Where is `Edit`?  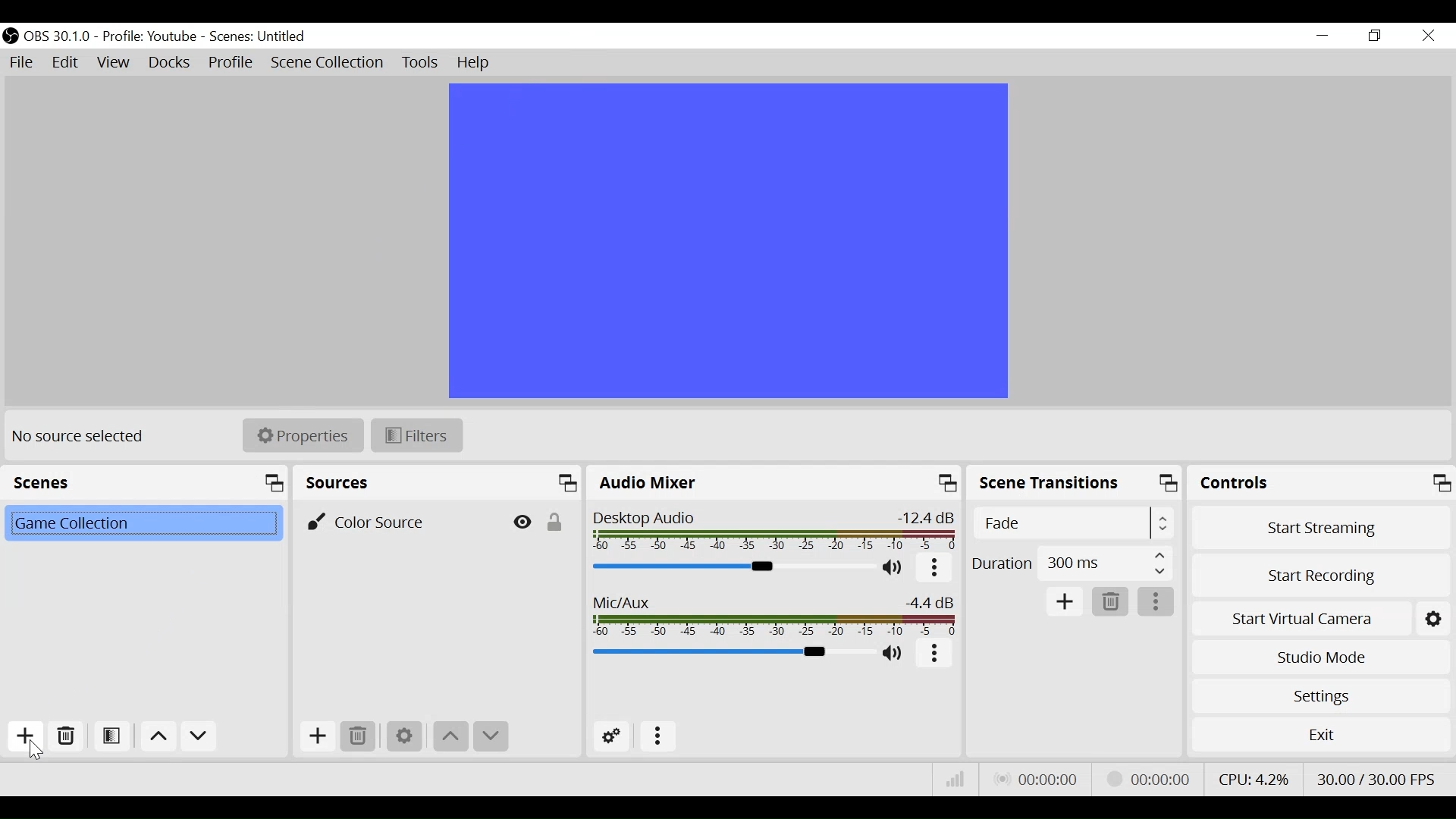 Edit is located at coordinates (67, 63).